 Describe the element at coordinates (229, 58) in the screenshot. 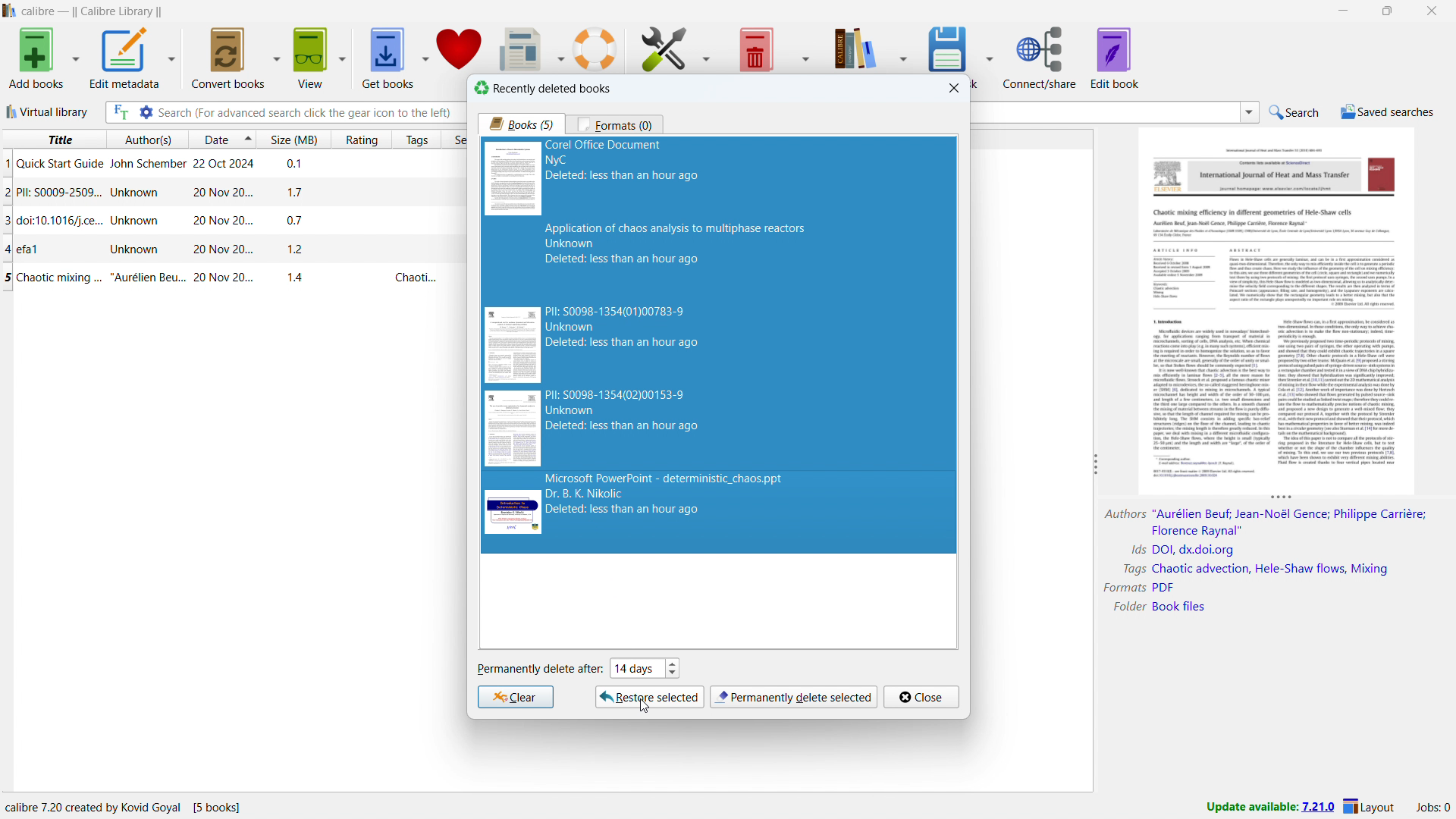

I see `convert books` at that location.